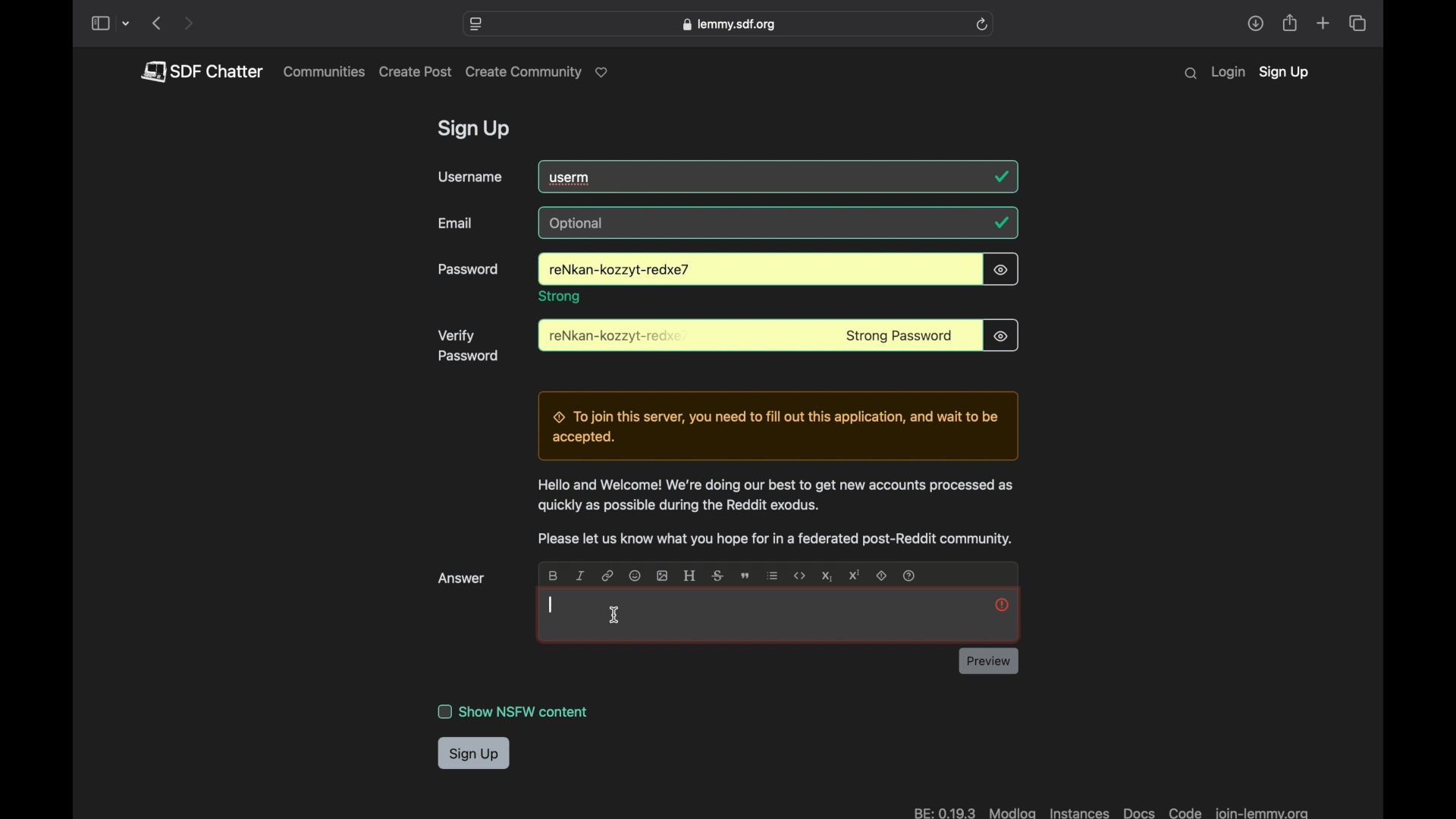 The image size is (1456, 819). I want to click on strong password, so click(899, 337).